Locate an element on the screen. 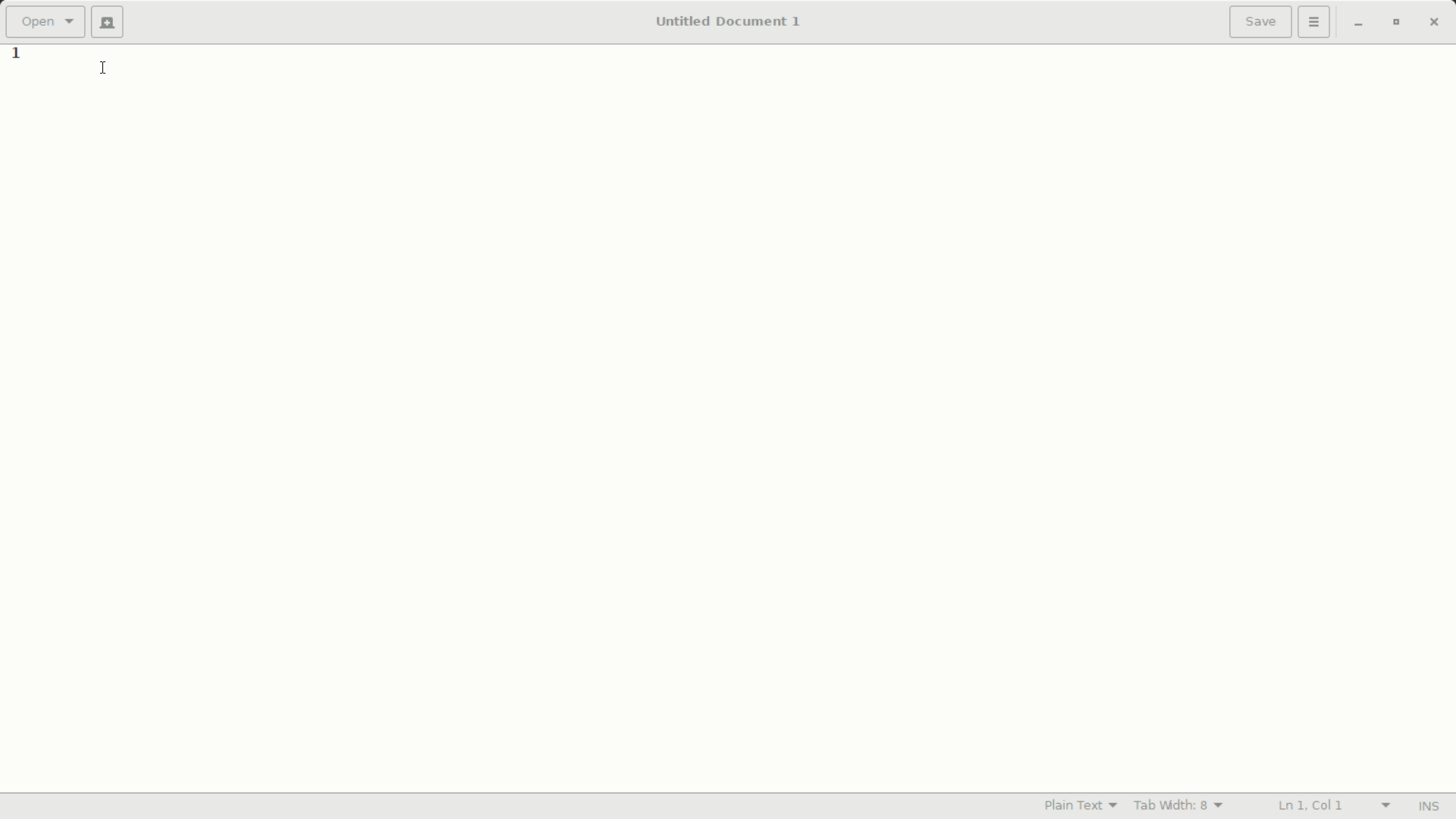  tab width 8 is located at coordinates (1180, 807).